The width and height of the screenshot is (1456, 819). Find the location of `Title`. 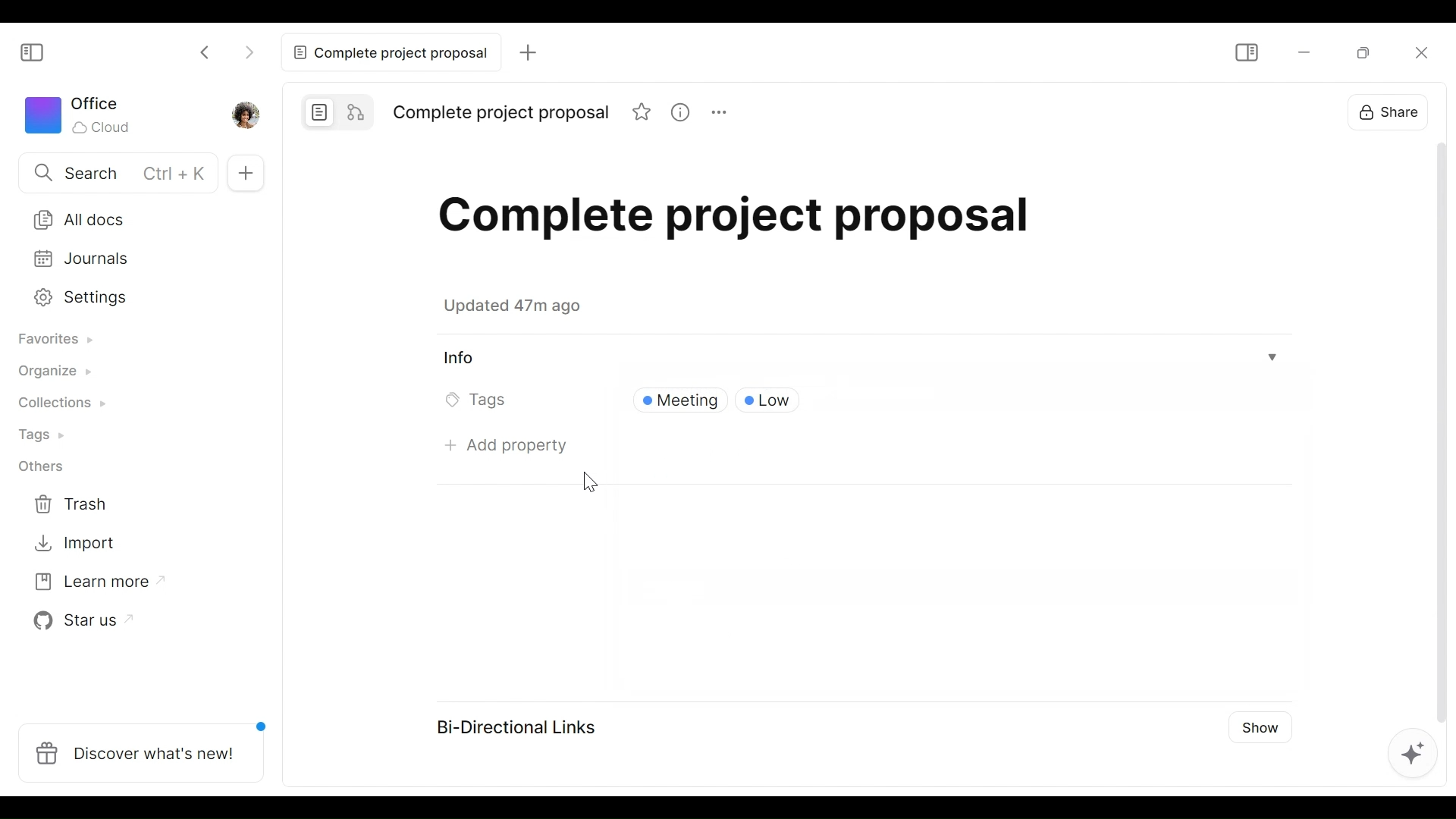

Title is located at coordinates (502, 114).